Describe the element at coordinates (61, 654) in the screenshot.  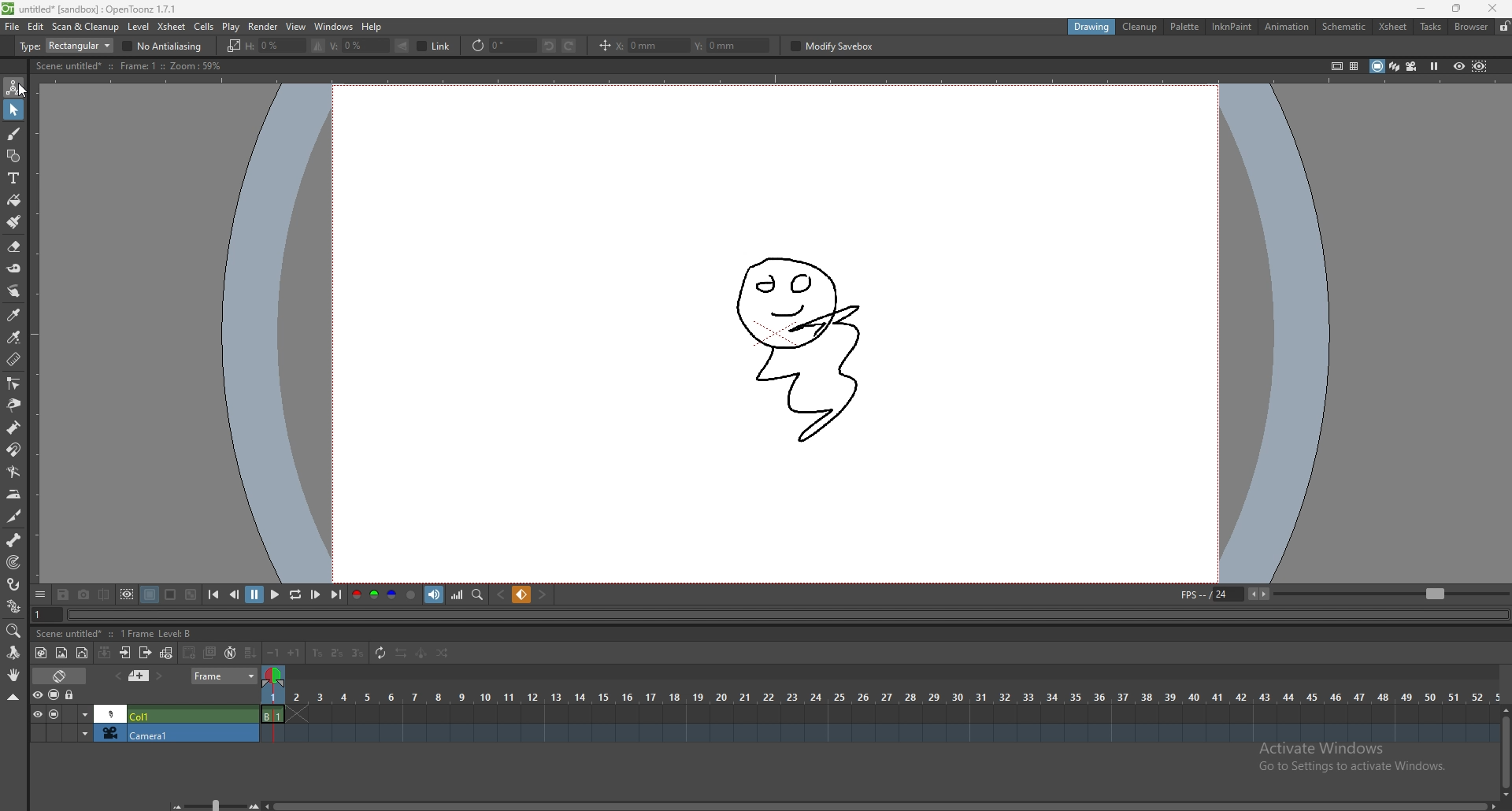
I see `new raster level` at that location.